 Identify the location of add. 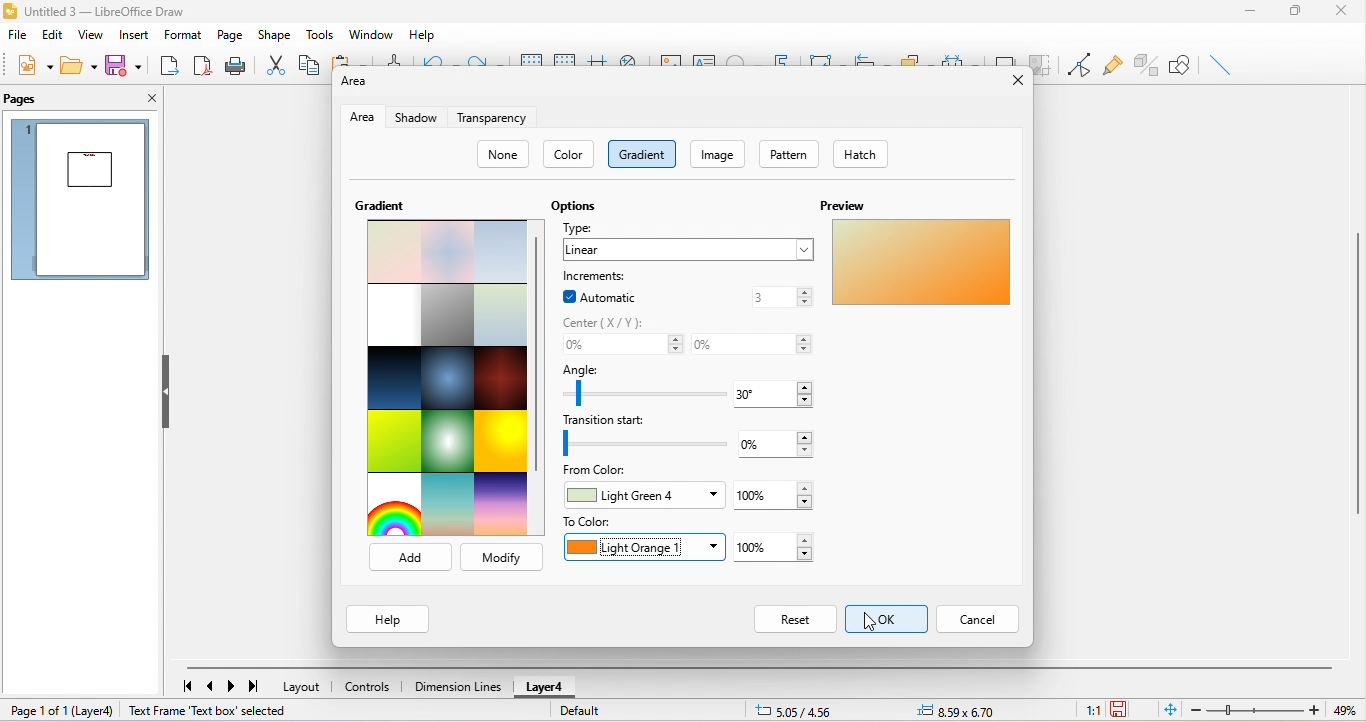
(405, 555).